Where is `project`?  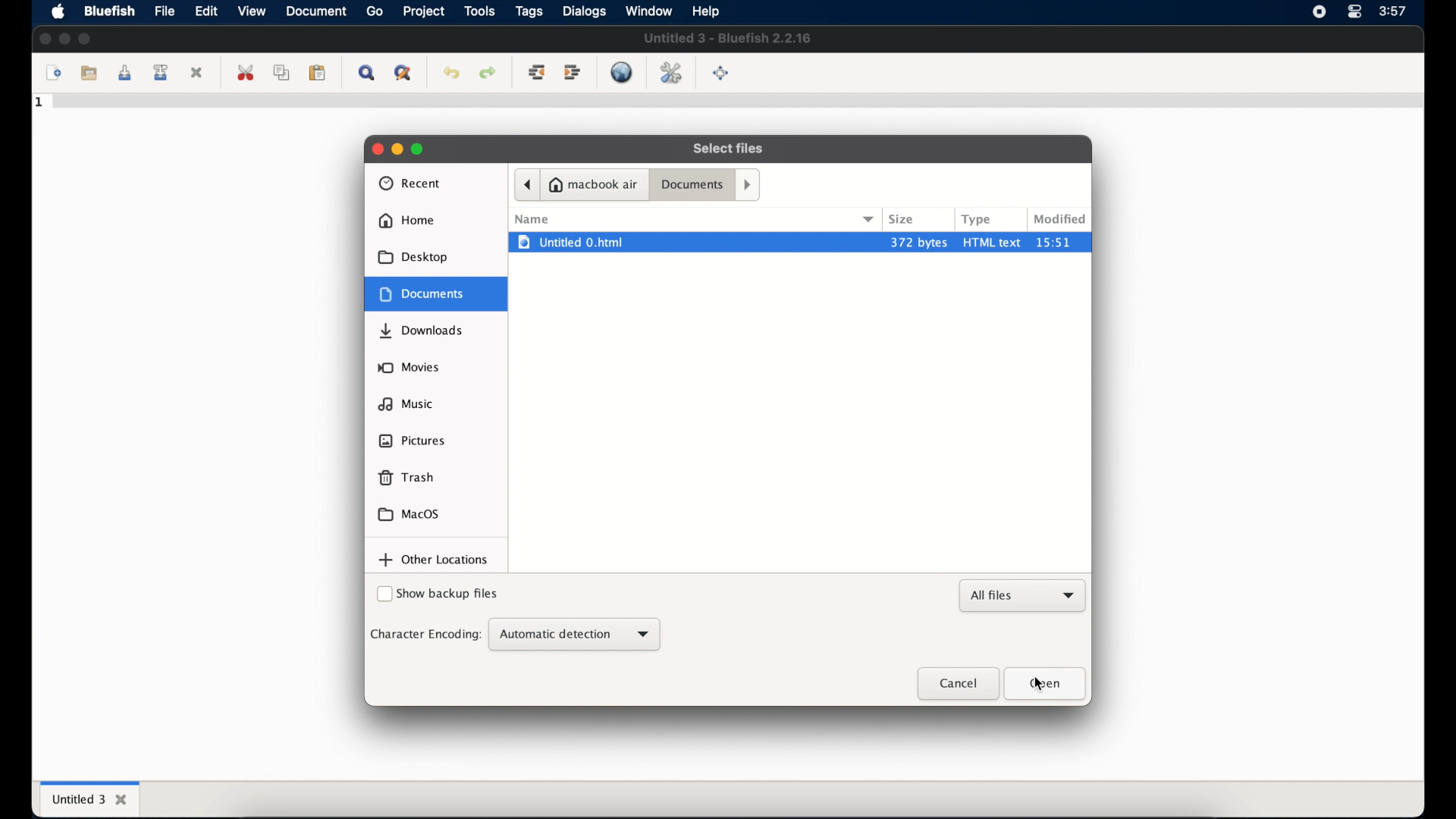 project is located at coordinates (423, 11).